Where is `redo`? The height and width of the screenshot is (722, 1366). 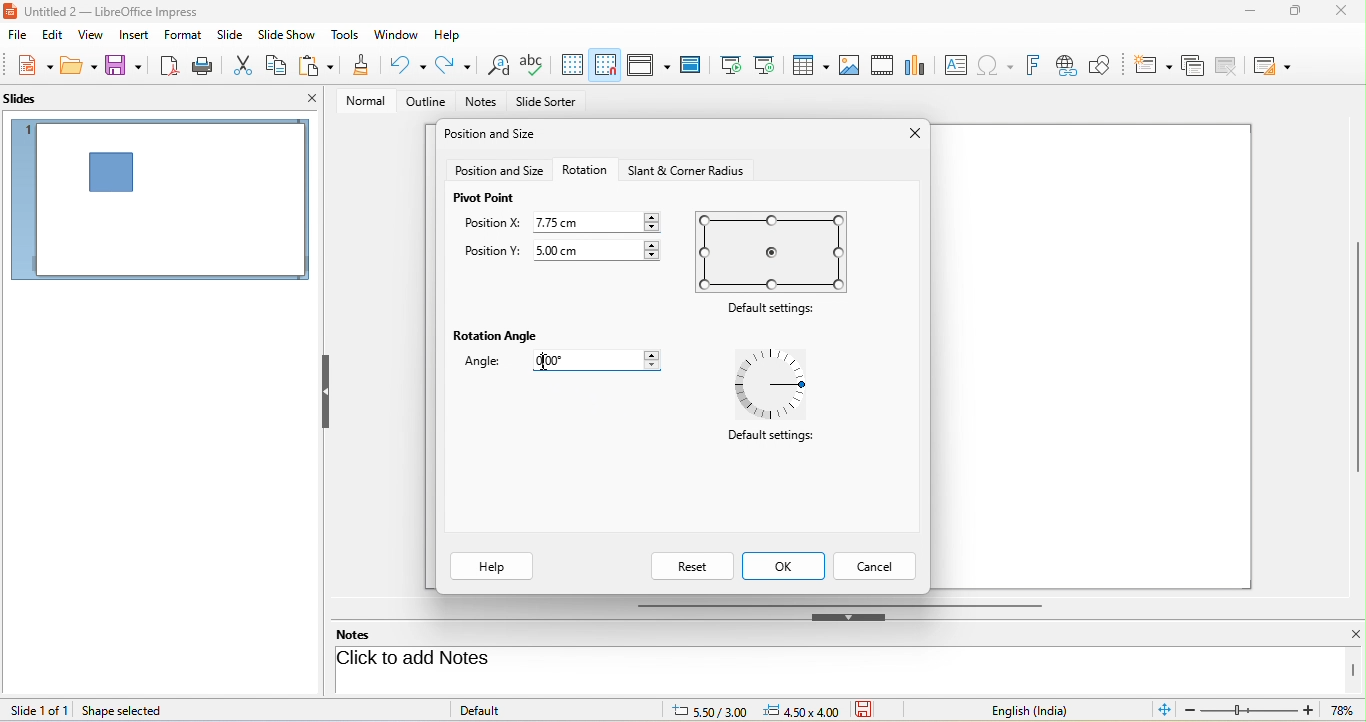 redo is located at coordinates (453, 66).